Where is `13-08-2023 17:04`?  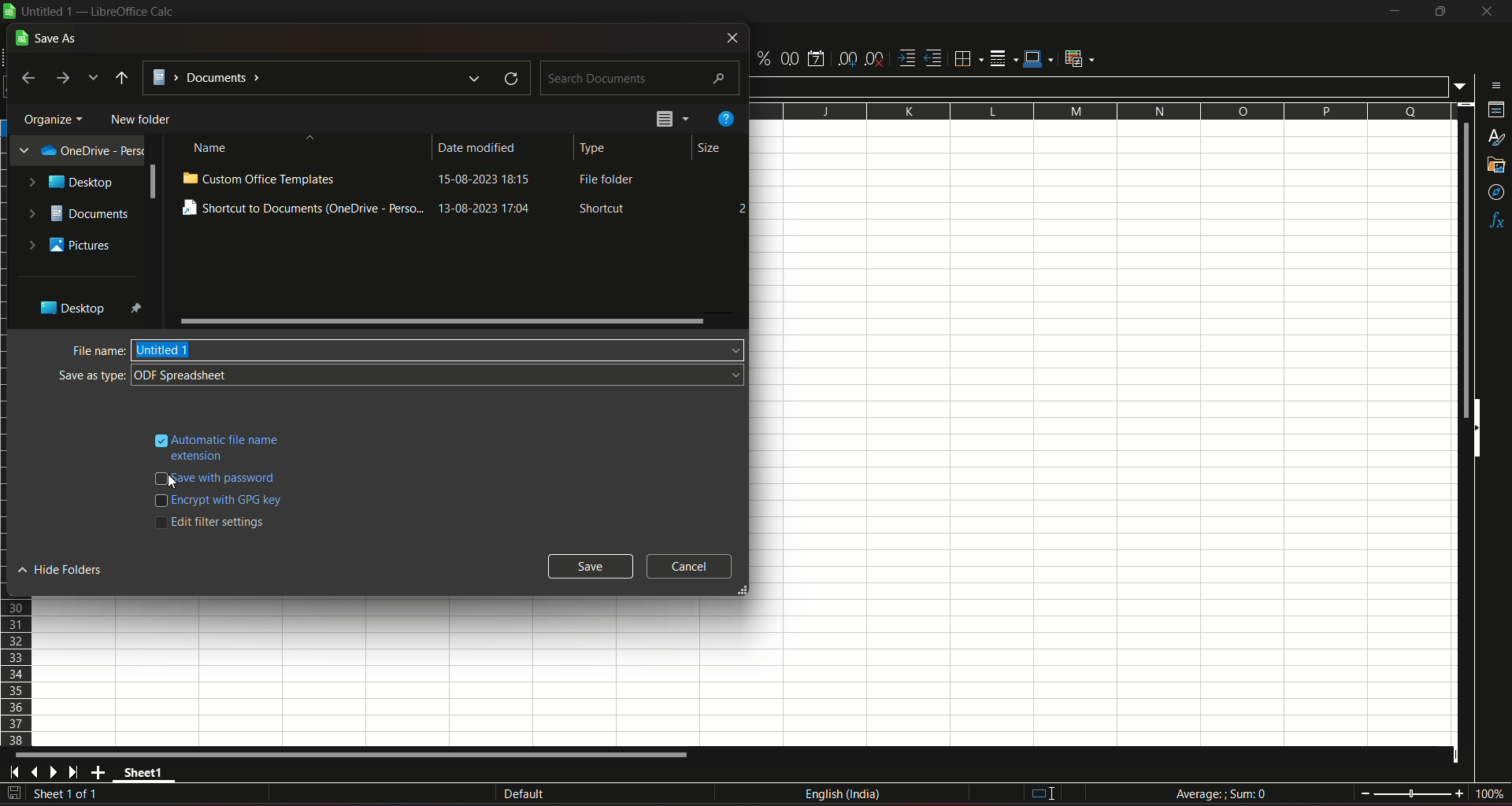
13-08-2023 17:04 is located at coordinates (494, 210).